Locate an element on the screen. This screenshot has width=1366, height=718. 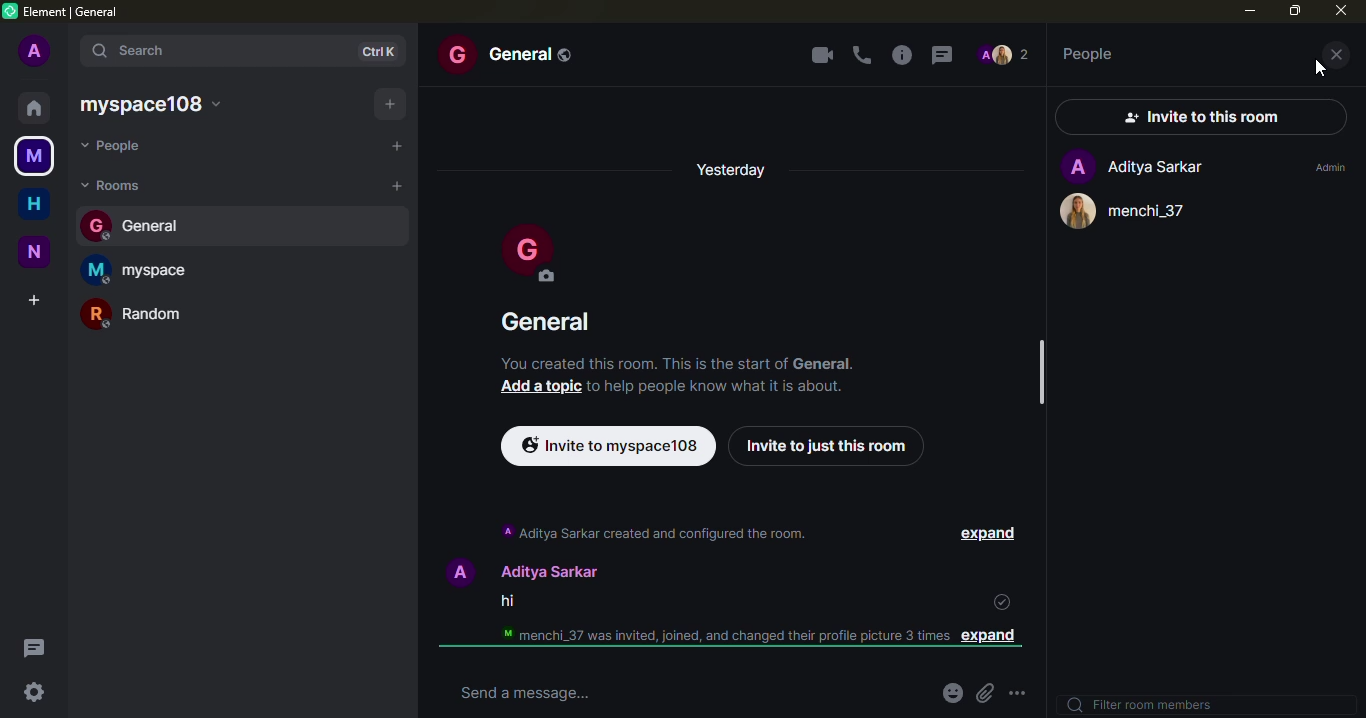
rooms is located at coordinates (114, 184).